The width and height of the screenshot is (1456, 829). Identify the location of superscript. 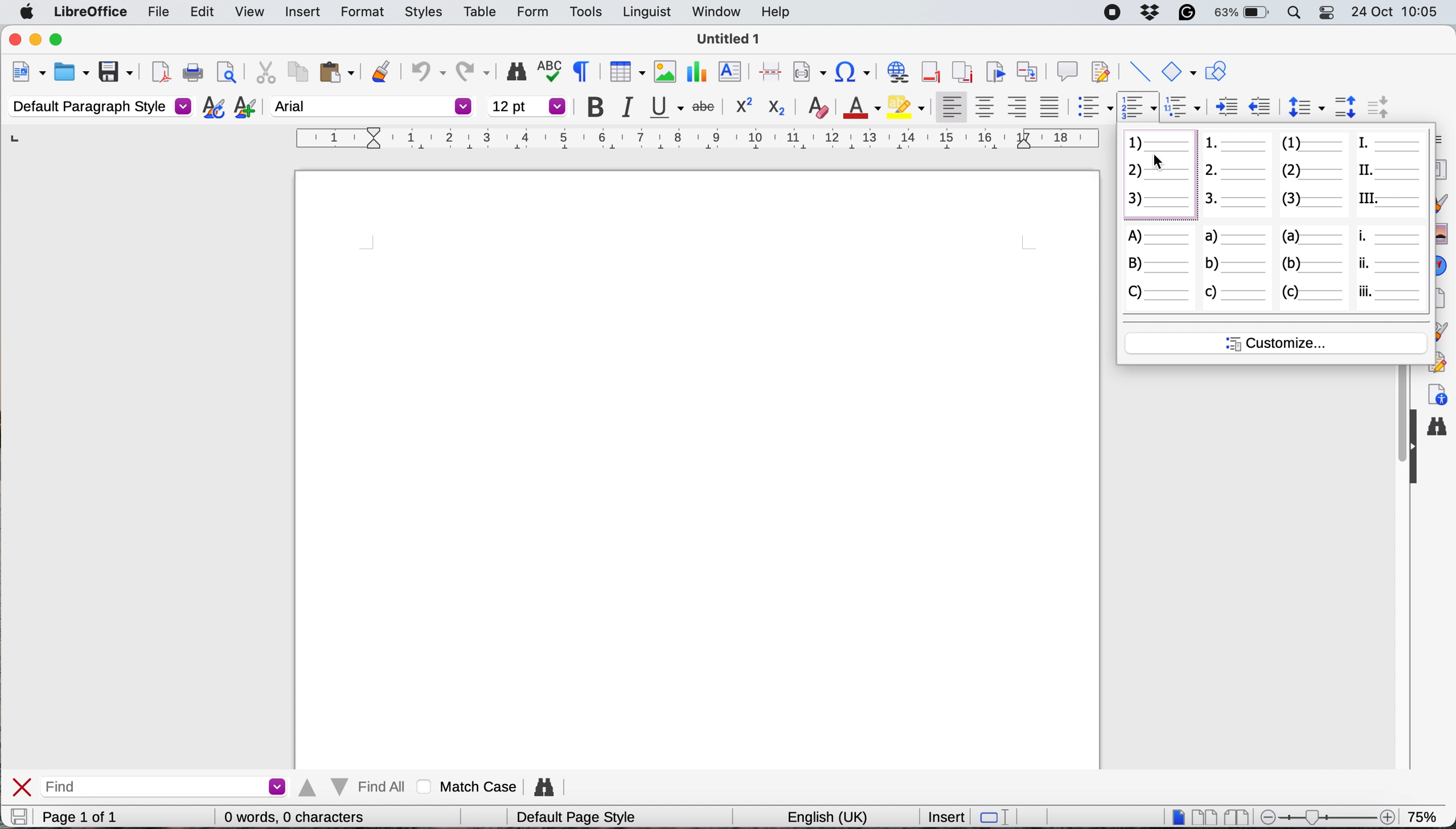
(741, 105).